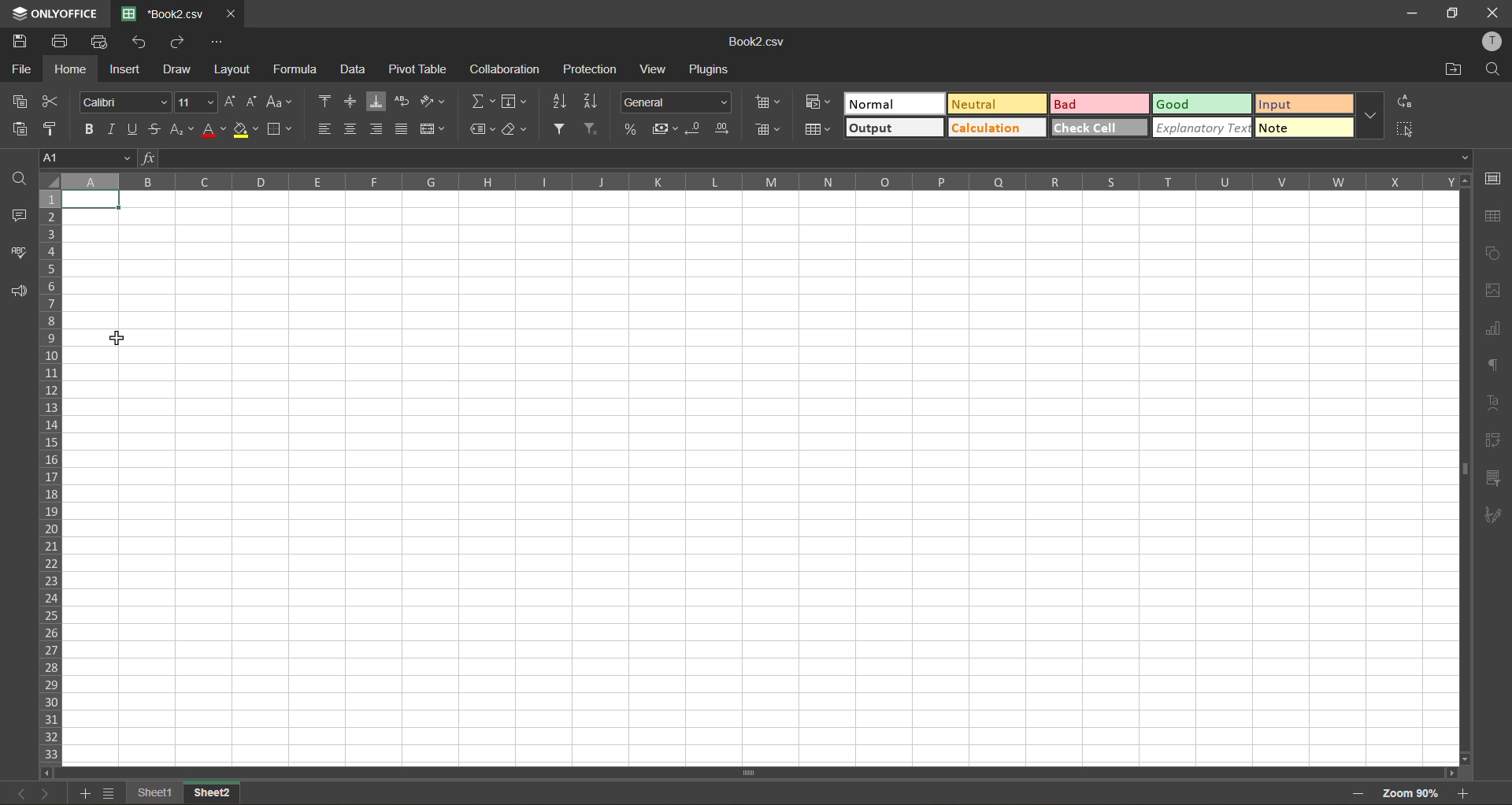 Image resolution: width=1512 pixels, height=805 pixels. Describe the element at coordinates (591, 69) in the screenshot. I see `protection` at that location.